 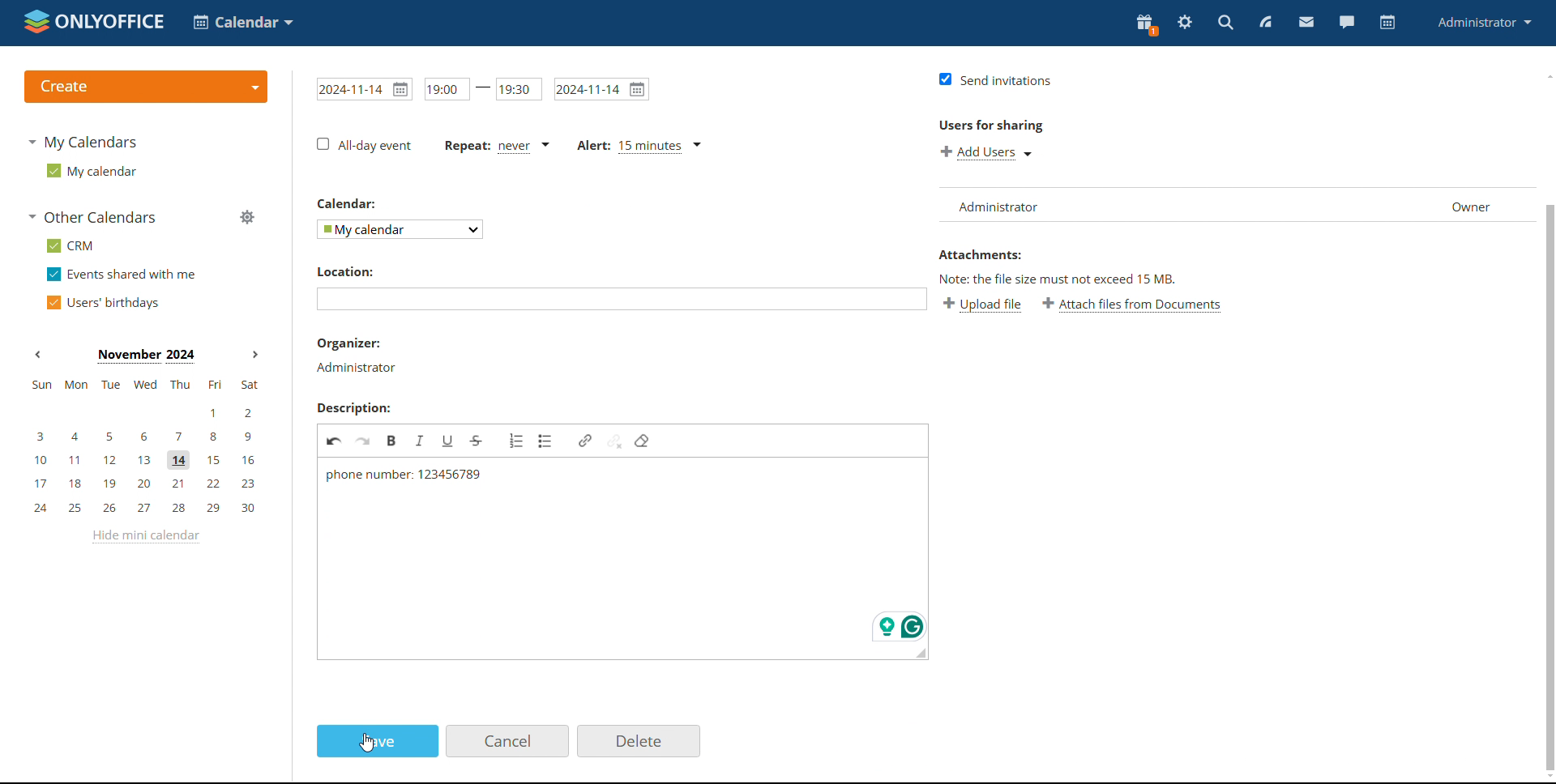 I want to click on calendar, so click(x=1387, y=23).